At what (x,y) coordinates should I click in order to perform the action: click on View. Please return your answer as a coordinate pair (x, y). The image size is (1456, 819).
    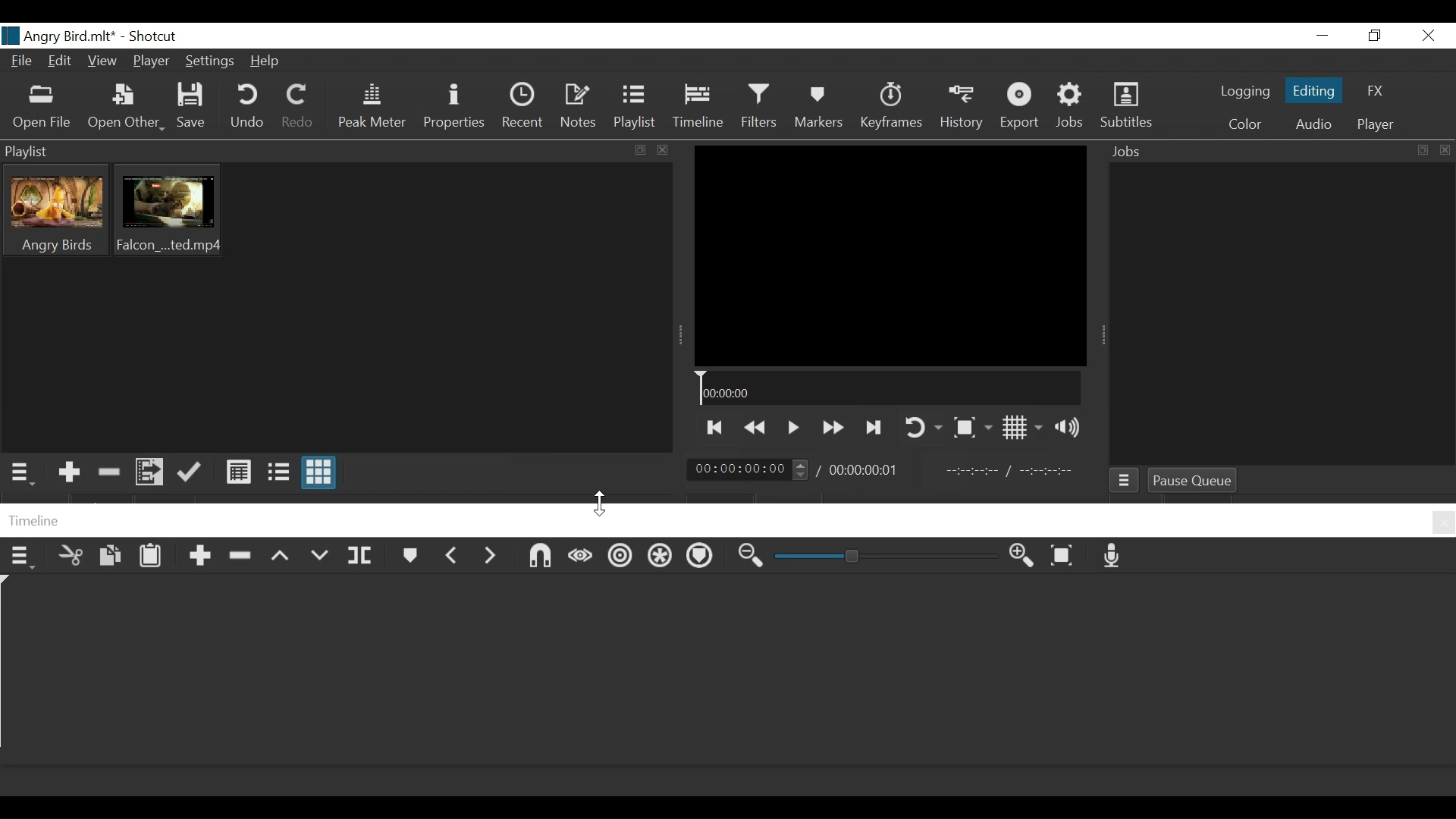
    Looking at the image, I should click on (104, 61).